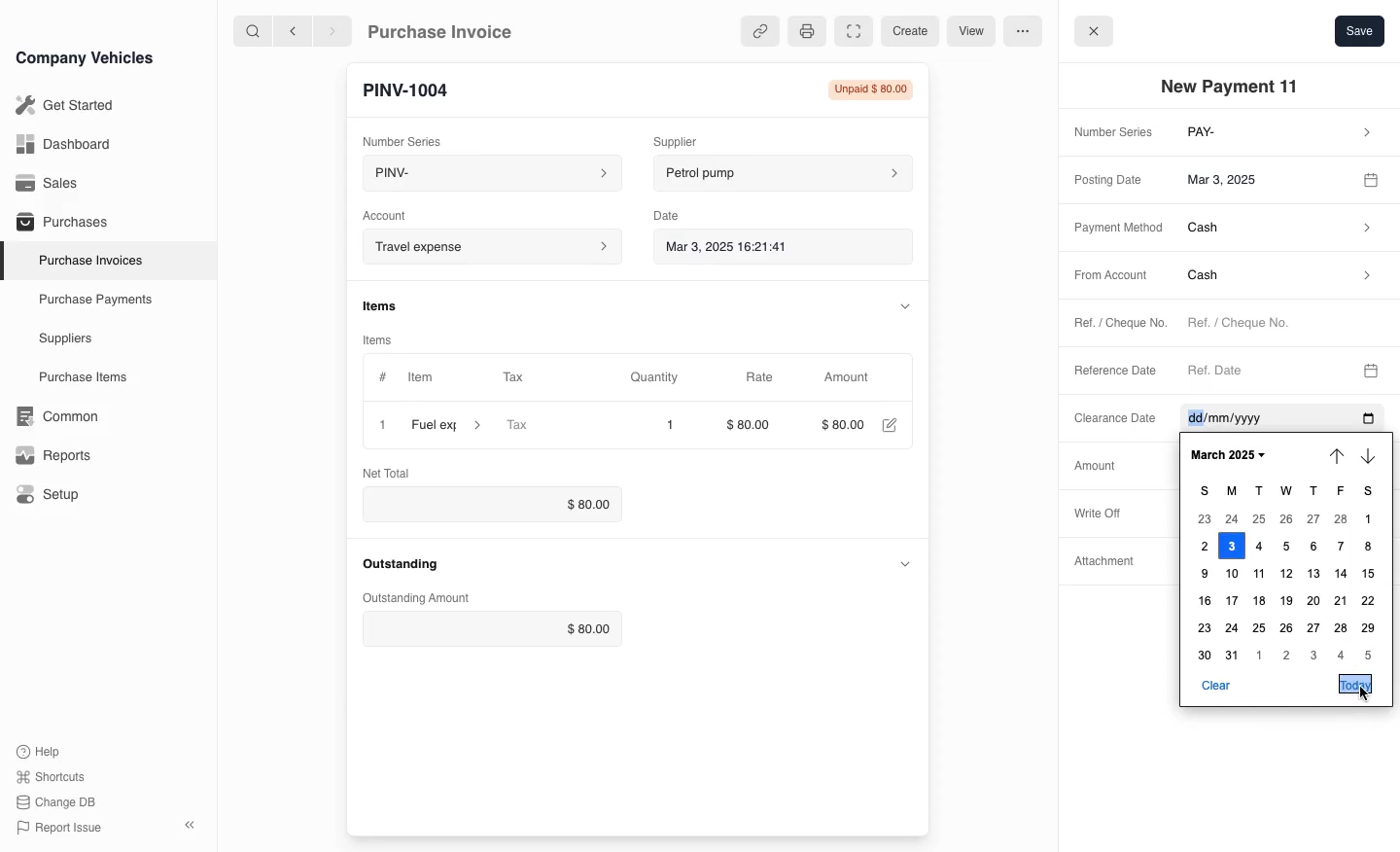 This screenshot has height=852, width=1400. I want to click on New Payment 11, so click(1235, 87).